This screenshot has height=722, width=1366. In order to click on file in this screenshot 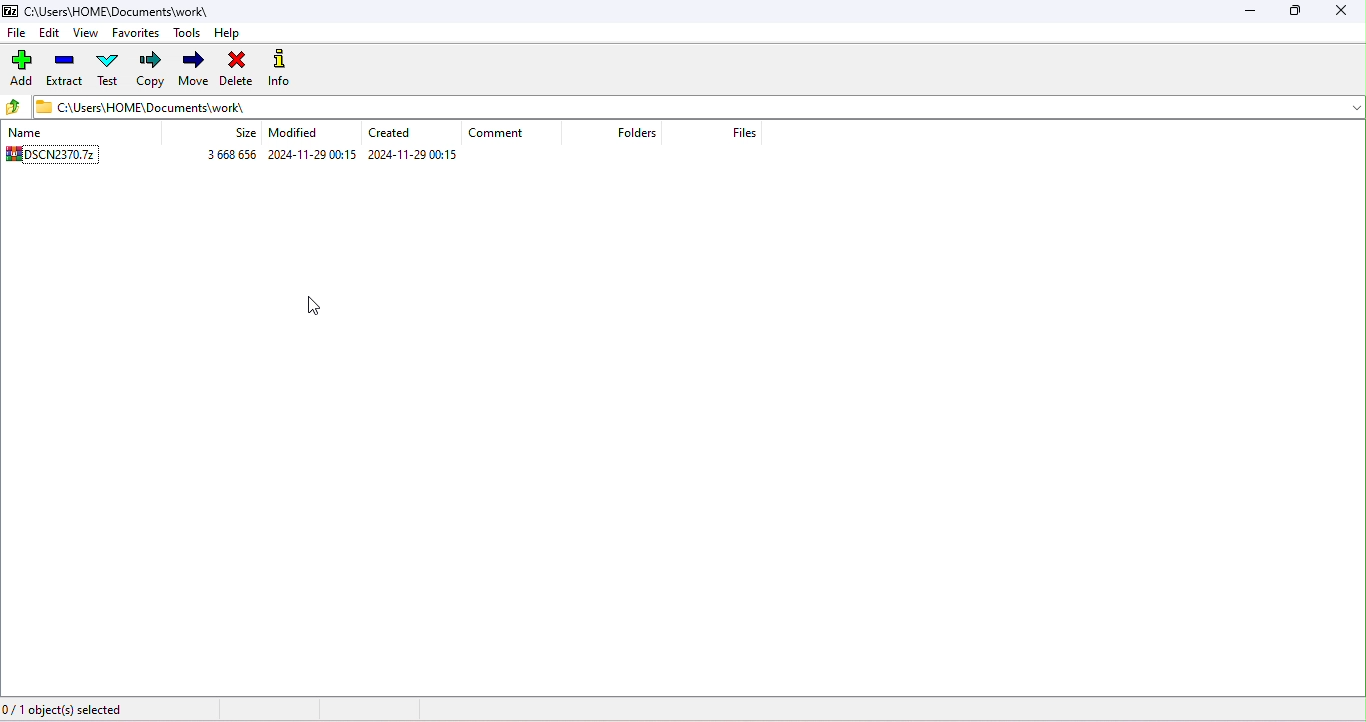, I will do `click(17, 32)`.